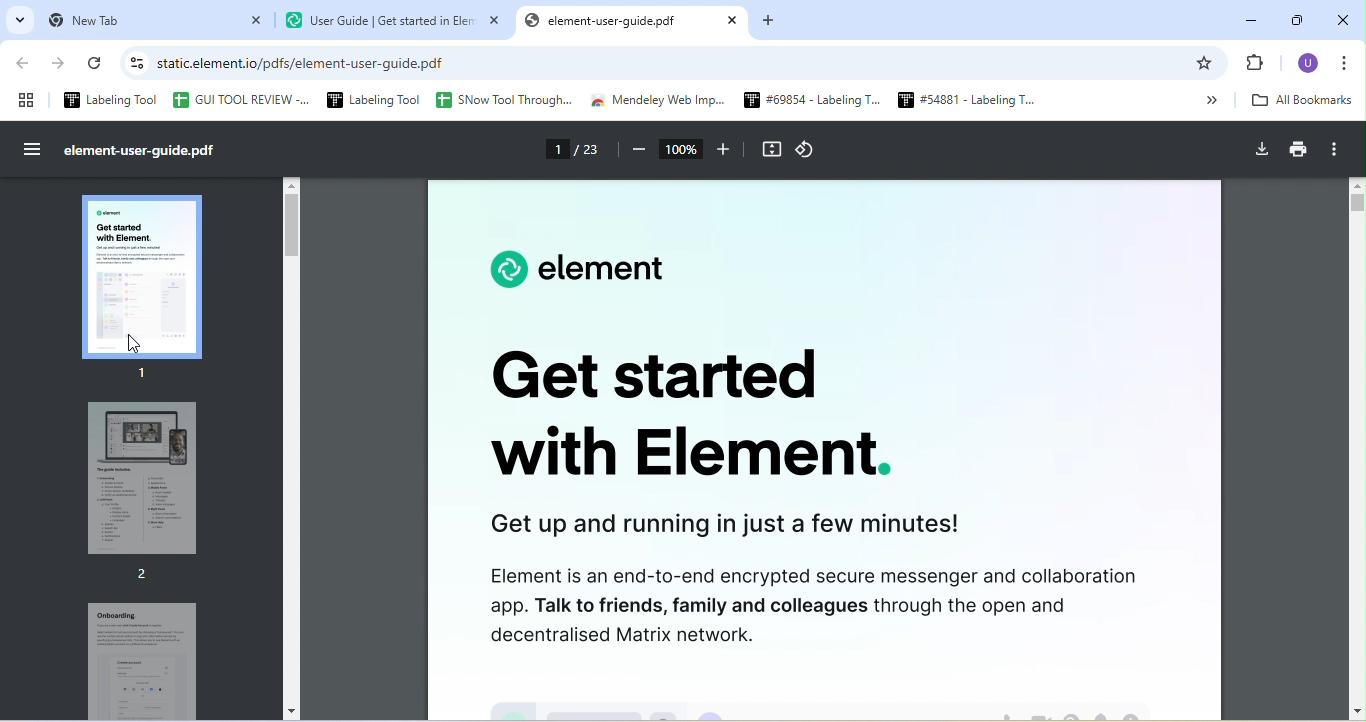  Describe the element at coordinates (1308, 63) in the screenshot. I see `u Profile` at that location.